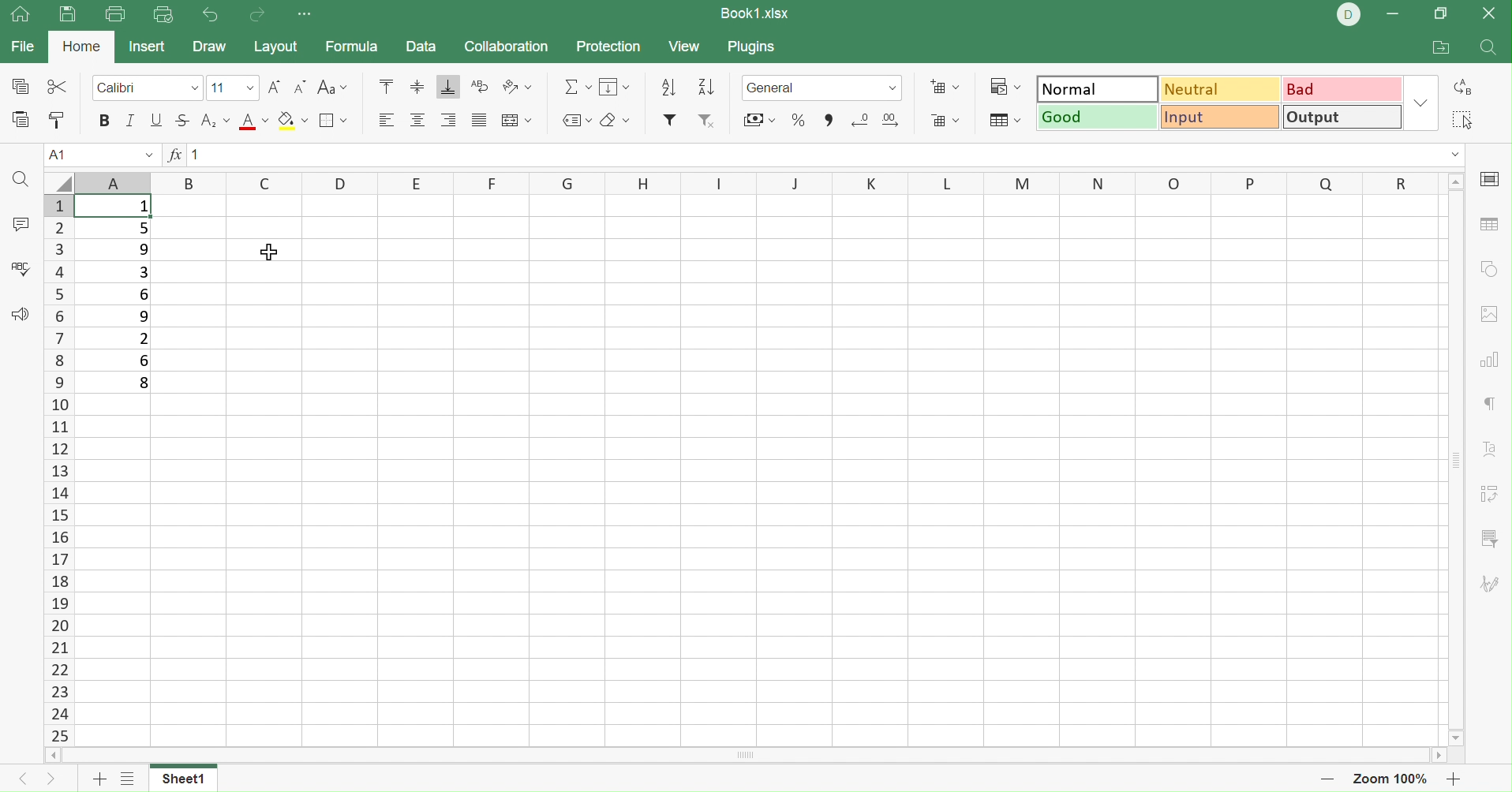  Describe the element at coordinates (1495, 494) in the screenshot. I see `Pivot table settings` at that location.